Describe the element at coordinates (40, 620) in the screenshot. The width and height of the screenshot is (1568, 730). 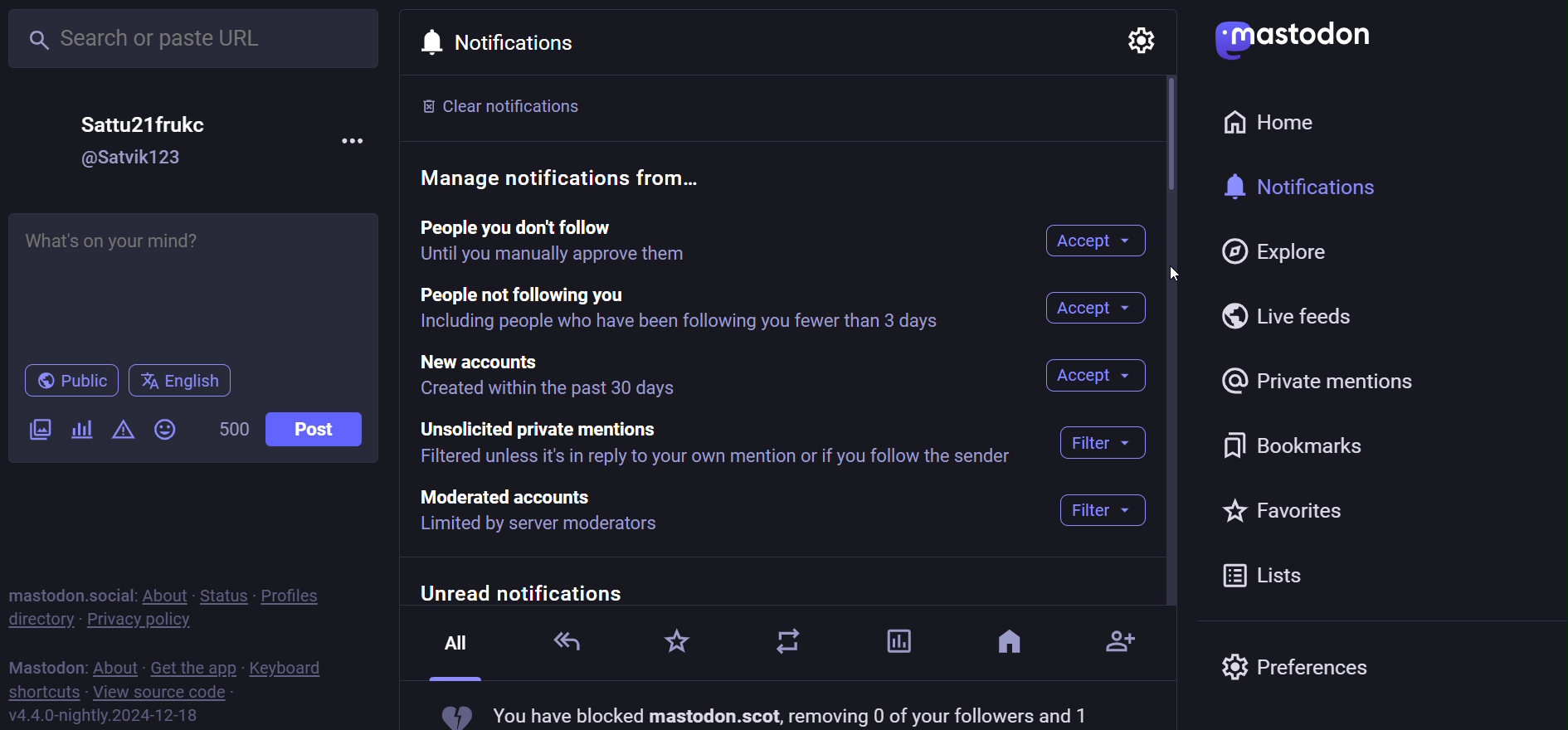
I see `directory` at that location.